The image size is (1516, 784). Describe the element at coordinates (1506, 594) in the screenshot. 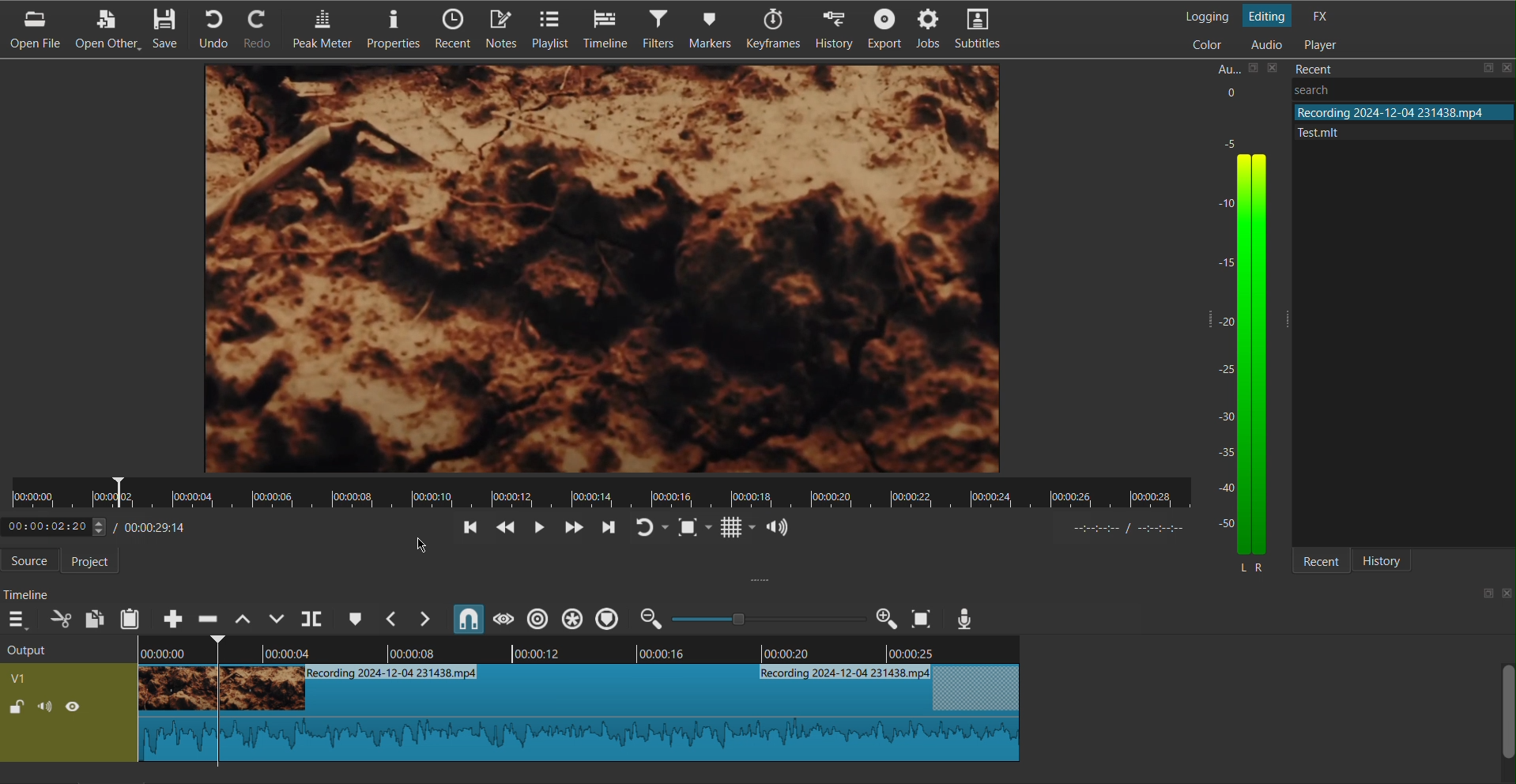

I see `close` at that location.